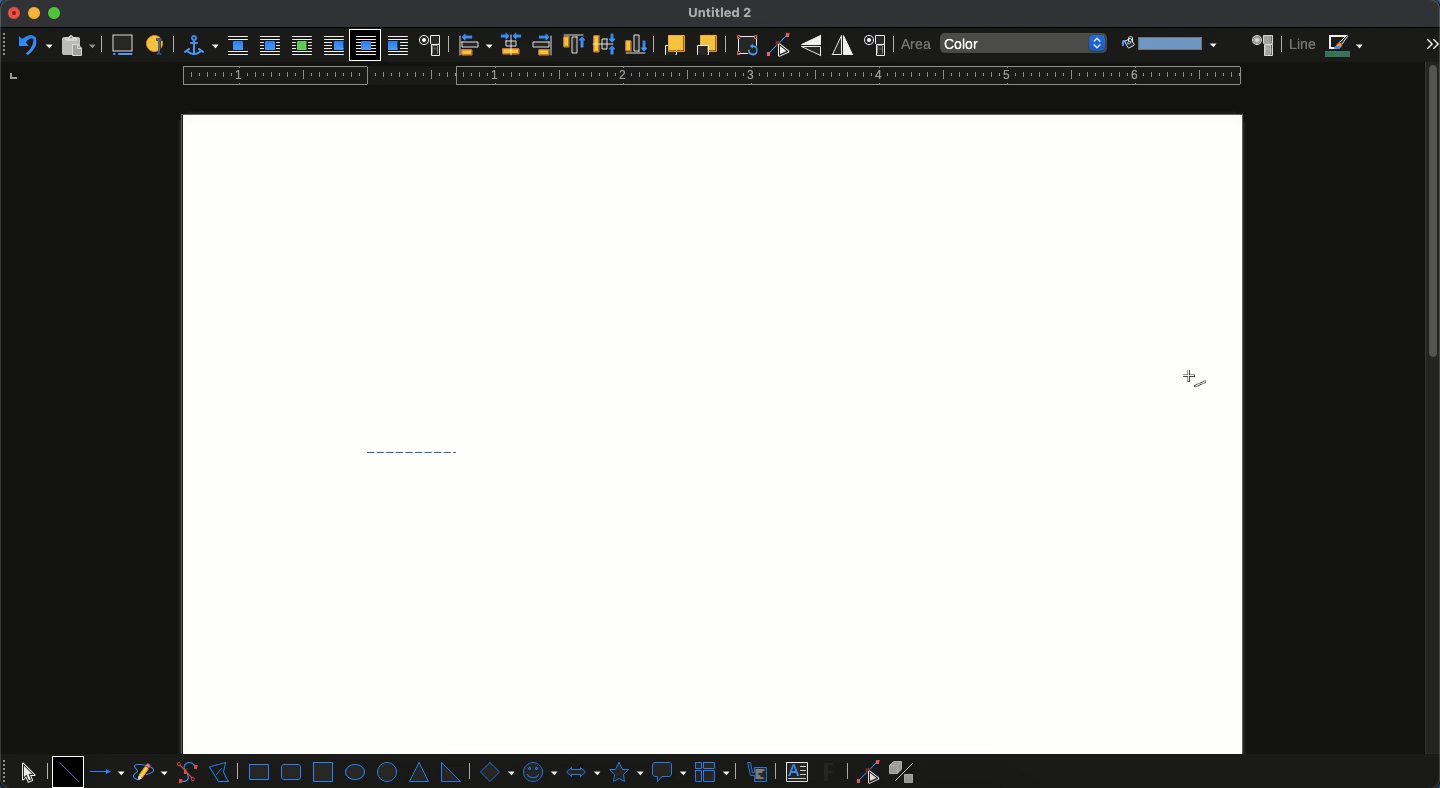 This screenshot has height=788, width=1440. What do you see at coordinates (34, 13) in the screenshot?
I see `minimize` at bounding box center [34, 13].